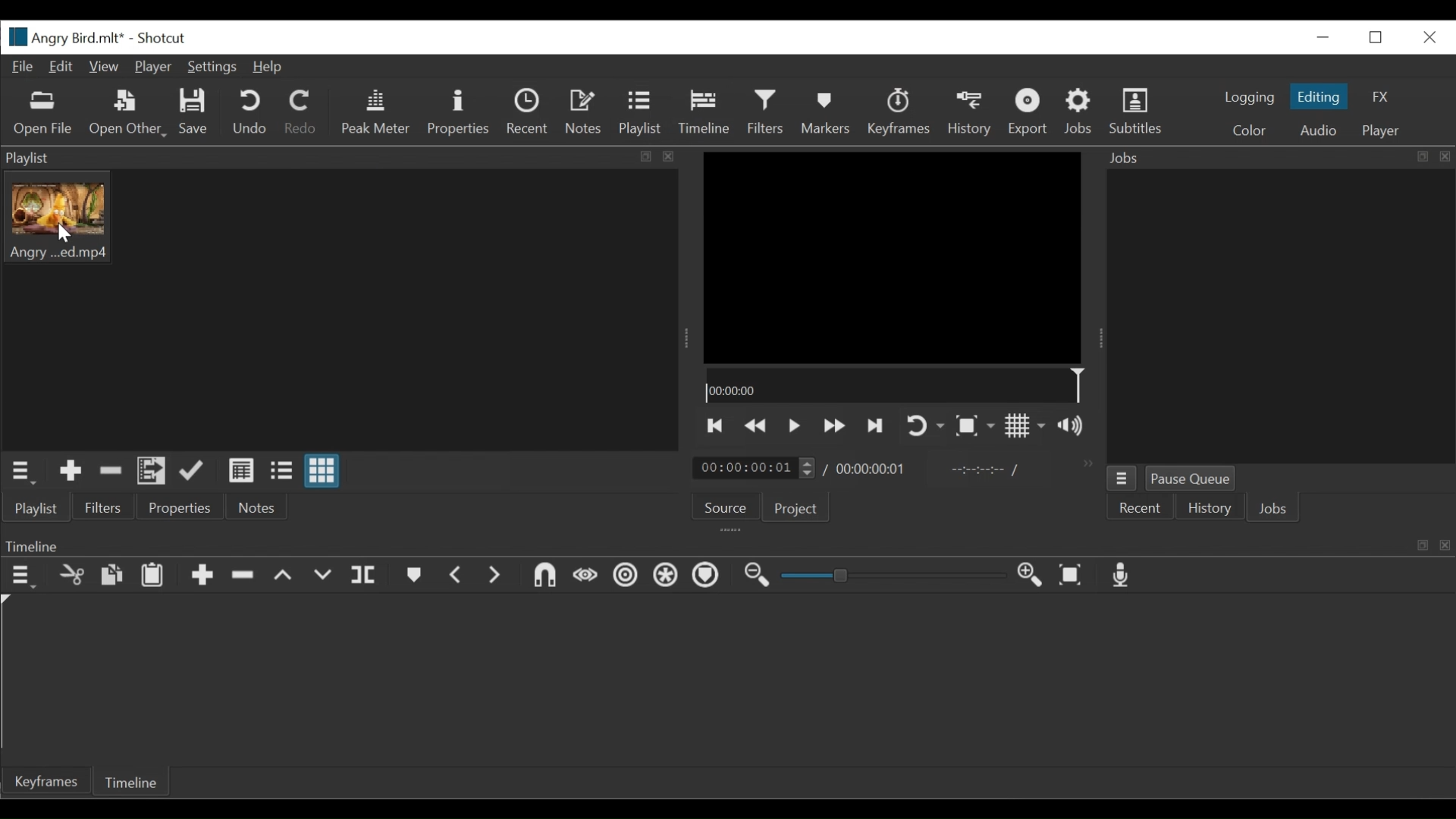  I want to click on Timeline, so click(133, 780).